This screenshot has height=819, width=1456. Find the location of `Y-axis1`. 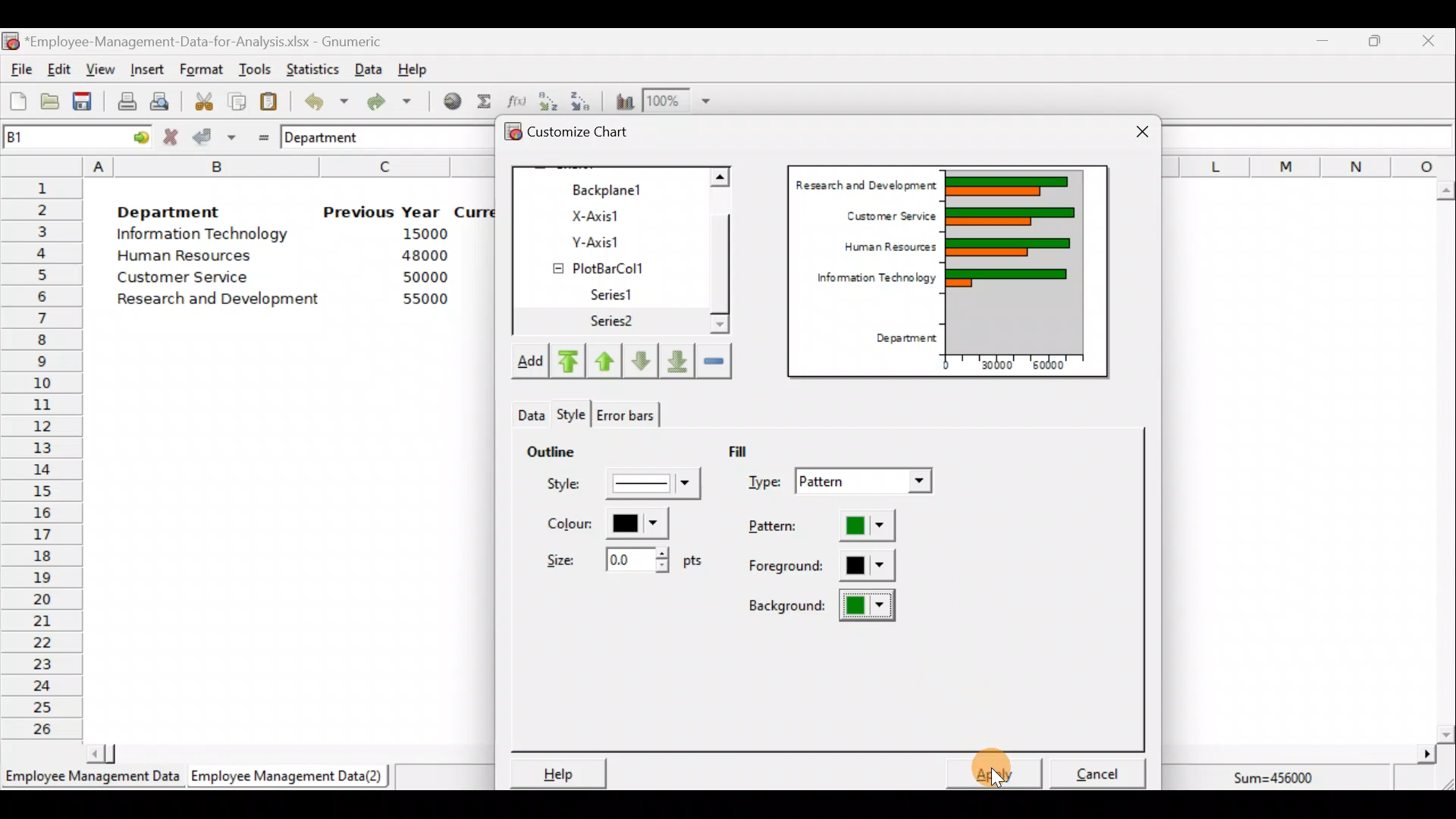

Y-axis1 is located at coordinates (615, 240).